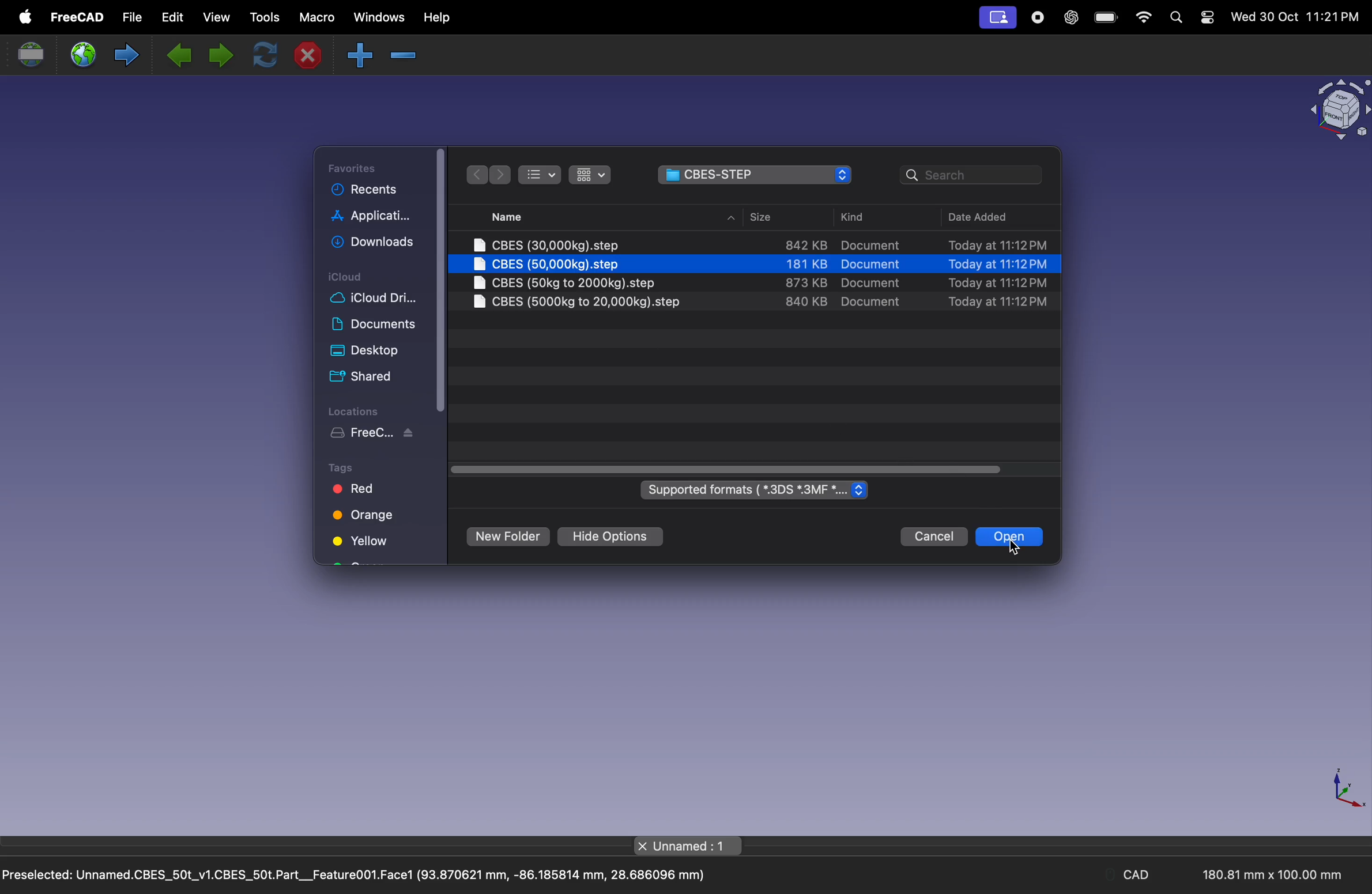 The width and height of the screenshot is (1372, 894). What do you see at coordinates (124, 56) in the screenshot?
I see `forward` at bounding box center [124, 56].